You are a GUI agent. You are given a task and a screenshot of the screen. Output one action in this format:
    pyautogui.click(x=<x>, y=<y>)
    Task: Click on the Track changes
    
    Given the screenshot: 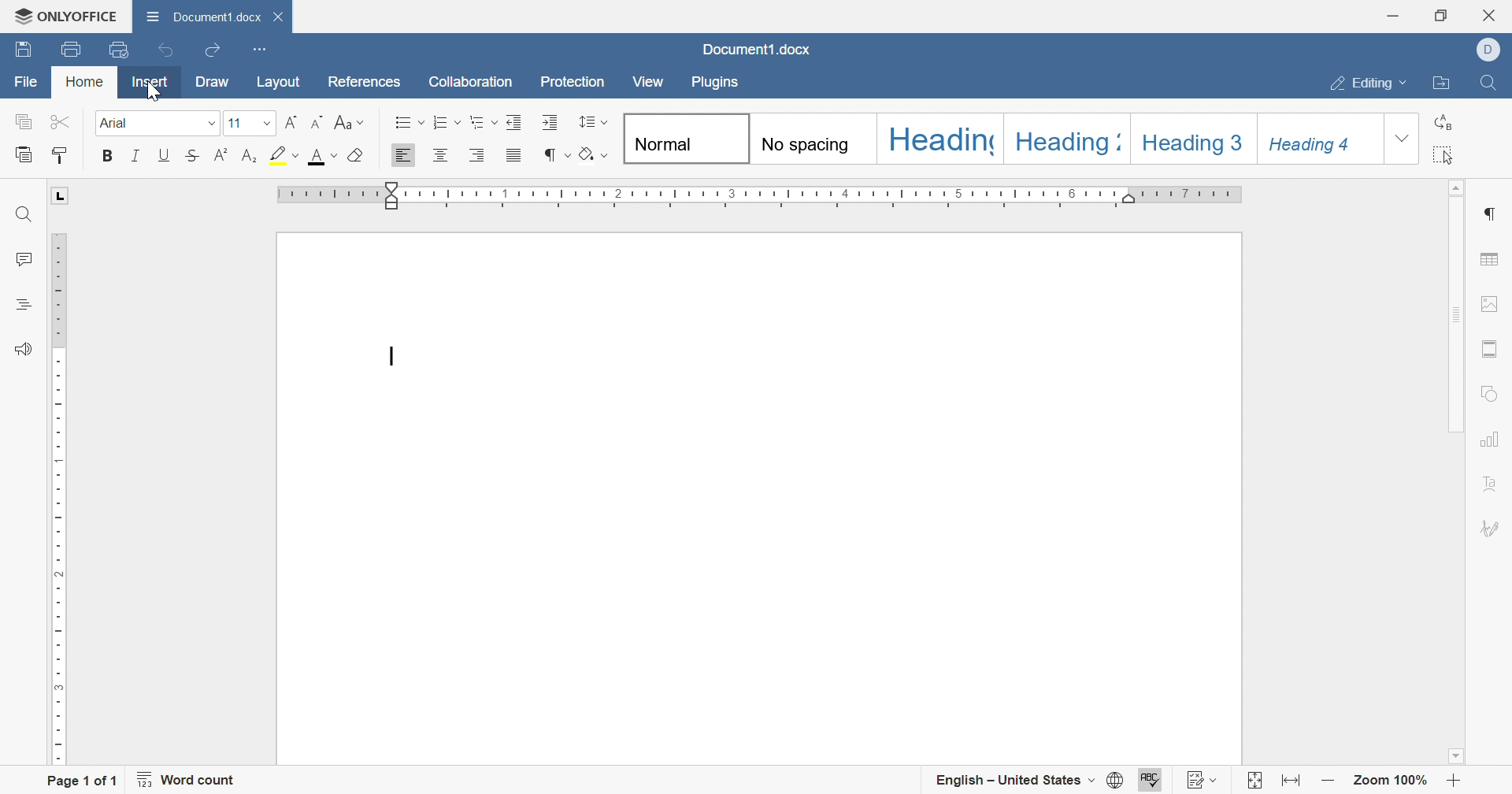 What is the action you would take?
    pyautogui.click(x=1203, y=781)
    